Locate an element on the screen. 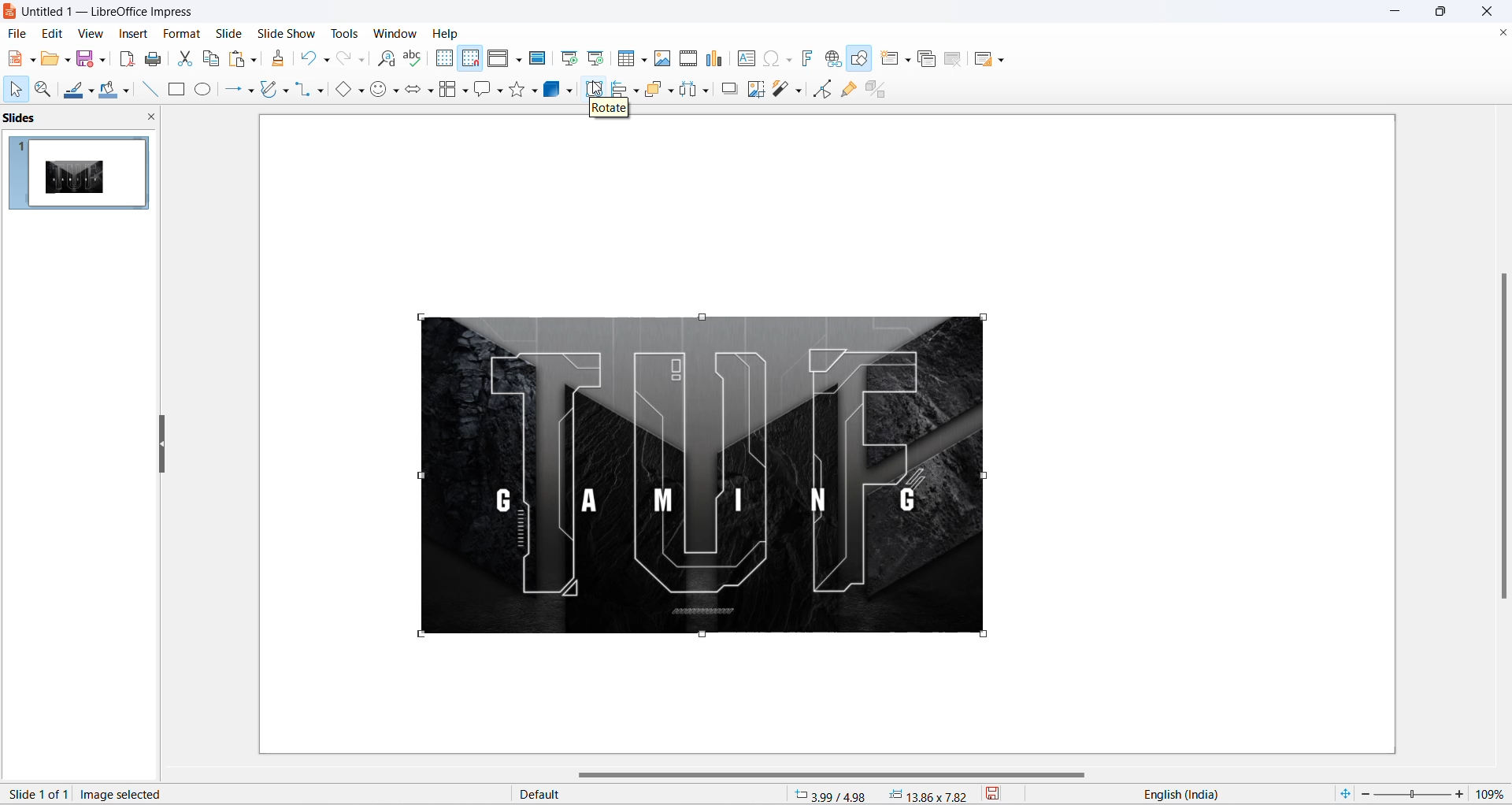 This screenshot has width=1512, height=805. copy is located at coordinates (212, 58).